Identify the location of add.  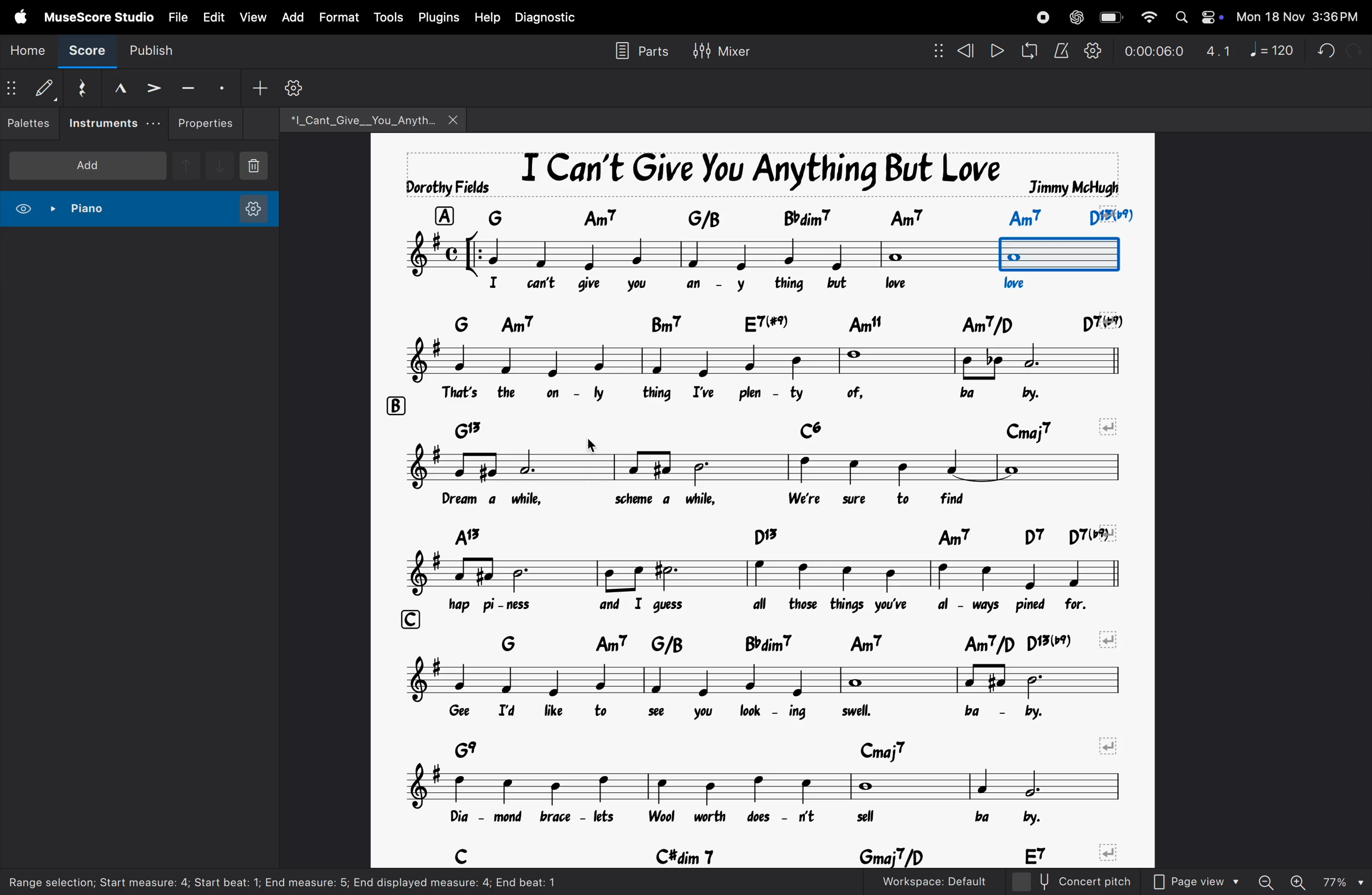
(255, 90).